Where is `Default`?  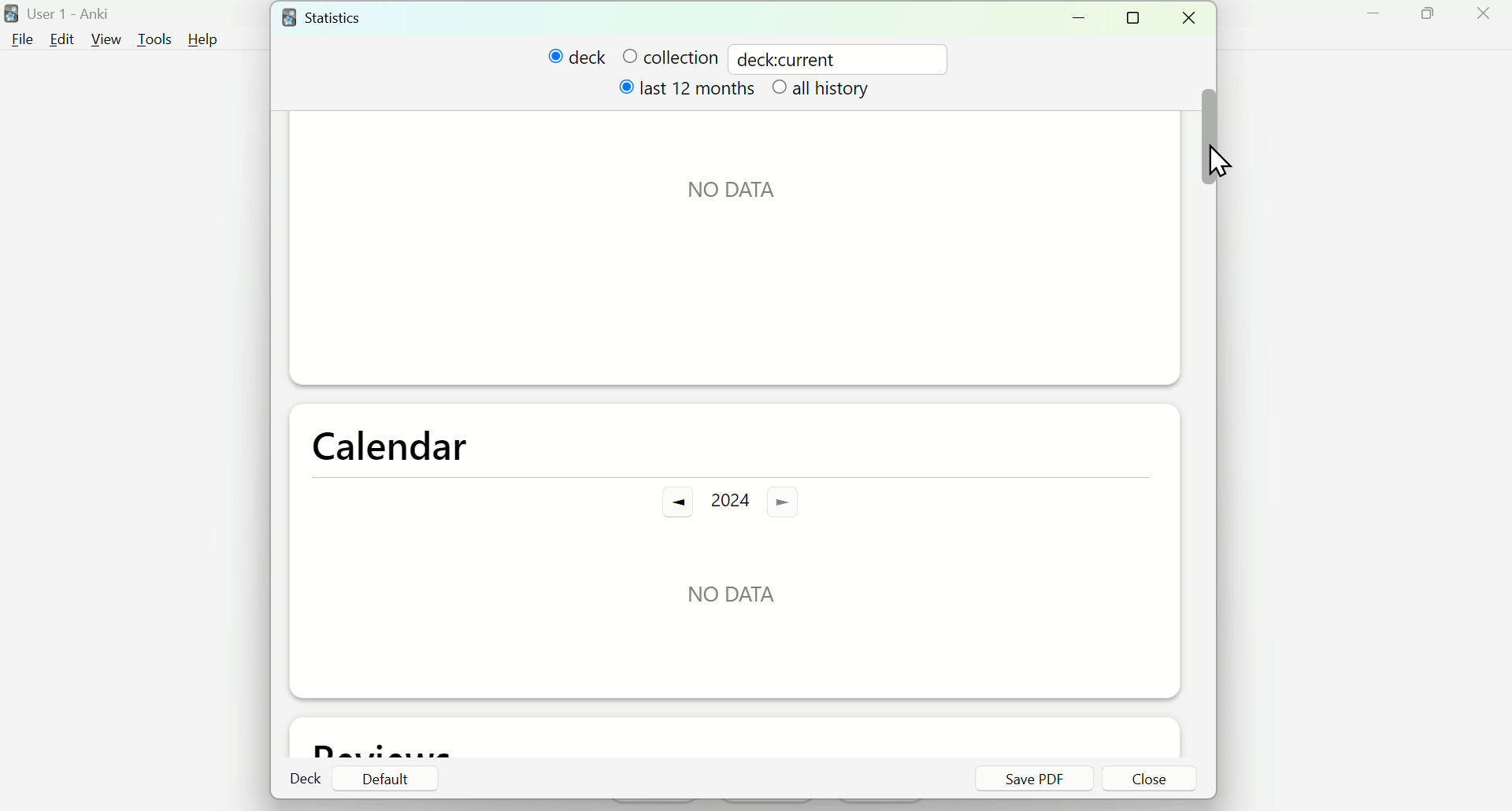 Default is located at coordinates (385, 779).